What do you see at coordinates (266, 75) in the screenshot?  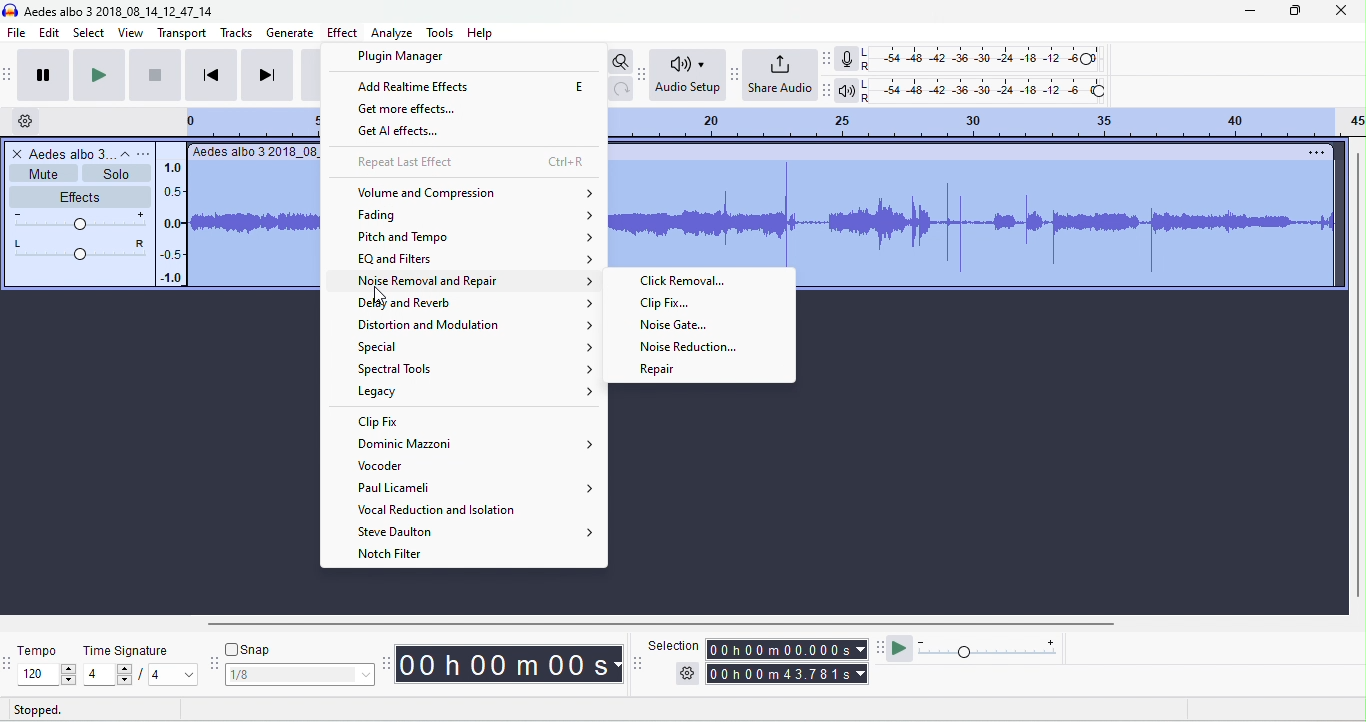 I see `skip to end` at bounding box center [266, 75].